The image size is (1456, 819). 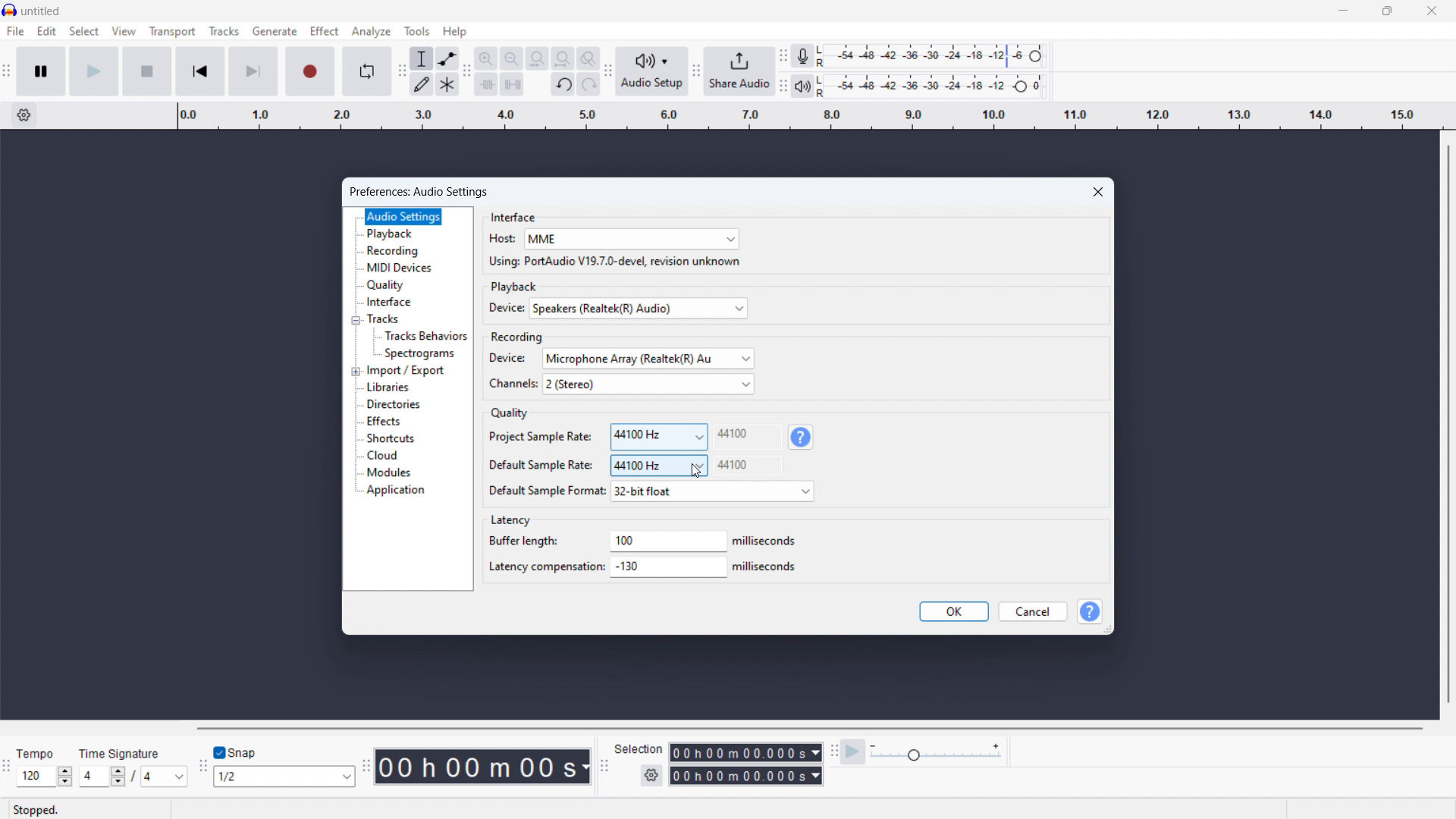 I want to click on close, so click(x=1432, y=10).